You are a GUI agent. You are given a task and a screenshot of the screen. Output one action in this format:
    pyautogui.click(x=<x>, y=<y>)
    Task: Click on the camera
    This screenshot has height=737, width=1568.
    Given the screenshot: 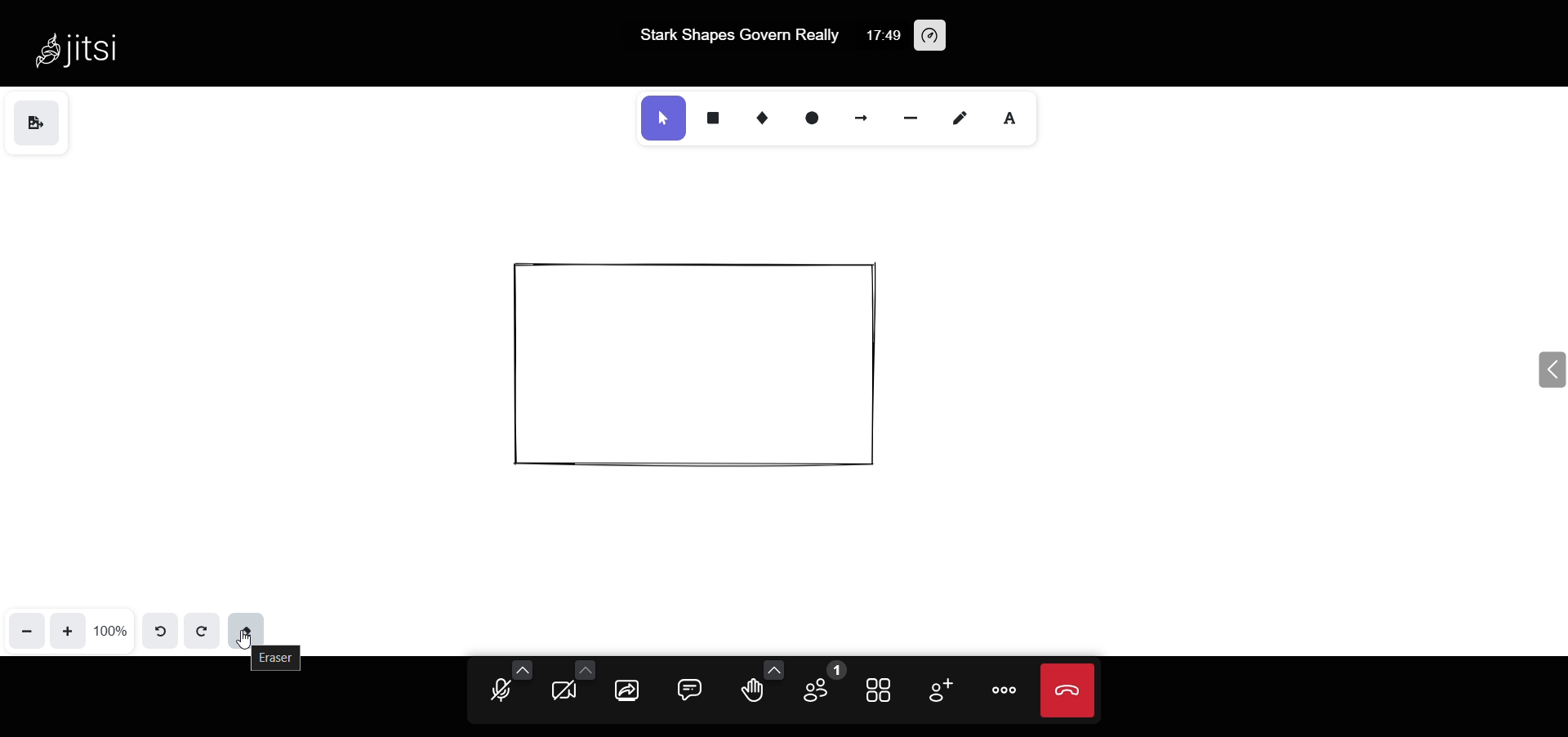 What is the action you would take?
    pyautogui.click(x=565, y=694)
    